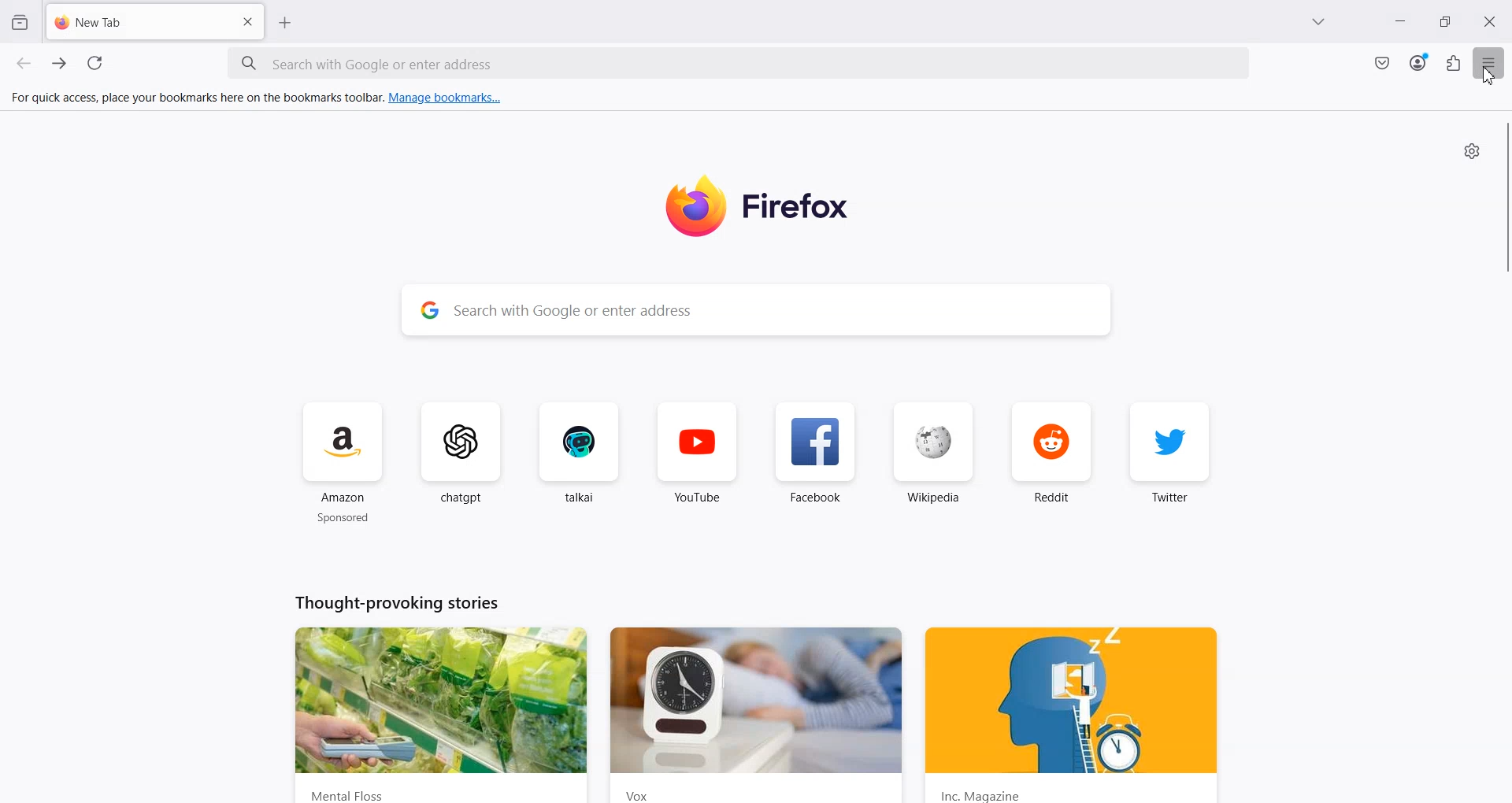  Describe the element at coordinates (1489, 22) in the screenshot. I see `Close` at that location.